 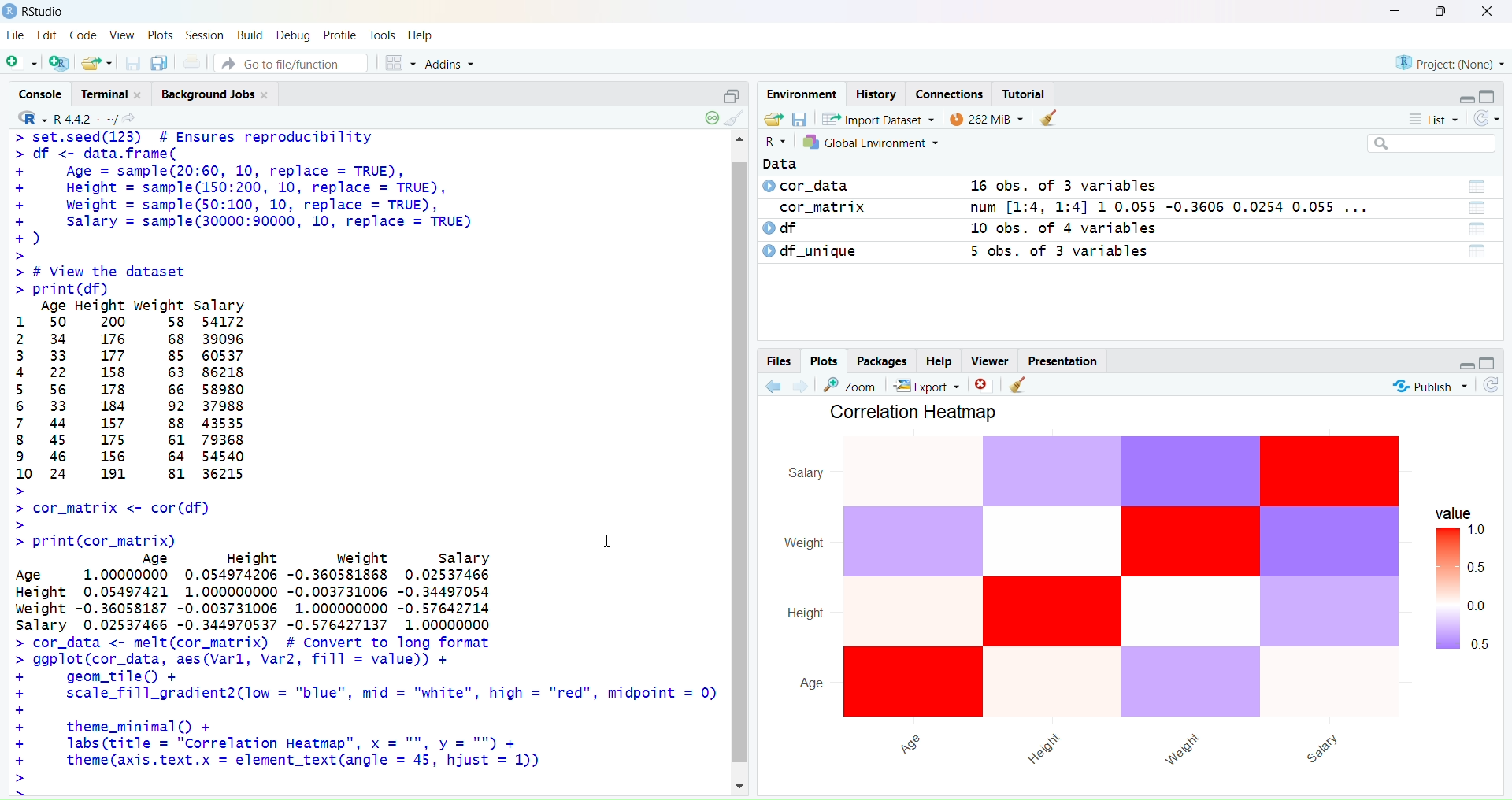 What do you see at coordinates (802, 94) in the screenshot?
I see `Environment` at bounding box center [802, 94].